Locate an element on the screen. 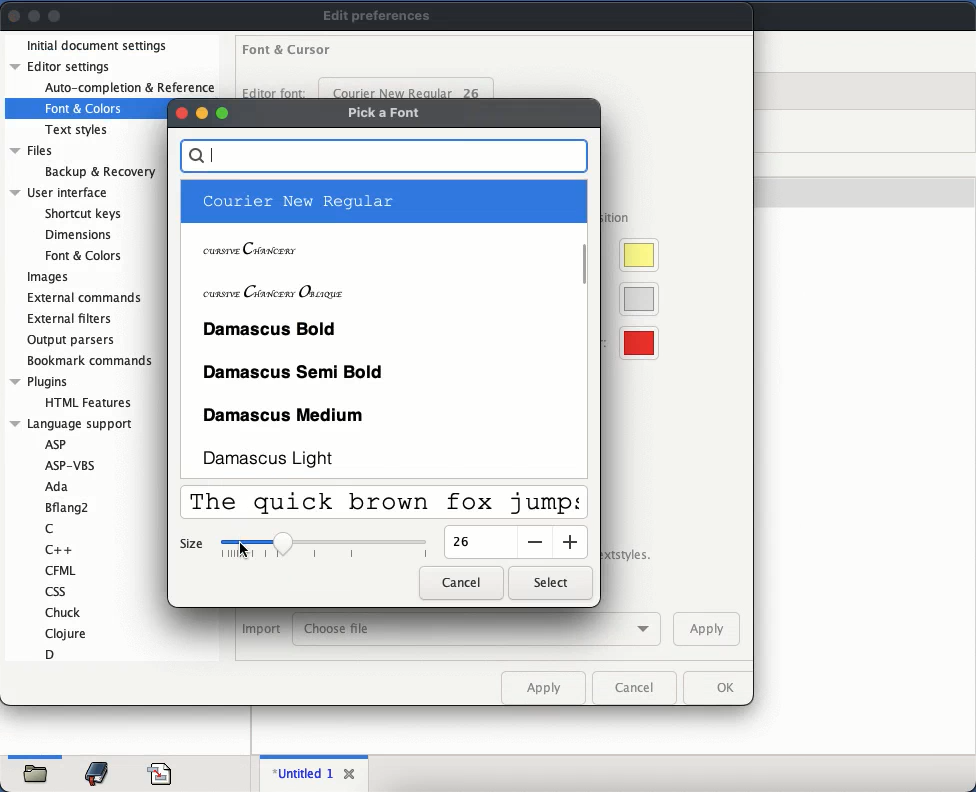 This screenshot has width=976, height=792. Damascus Medium is located at coordinates (285, 417).